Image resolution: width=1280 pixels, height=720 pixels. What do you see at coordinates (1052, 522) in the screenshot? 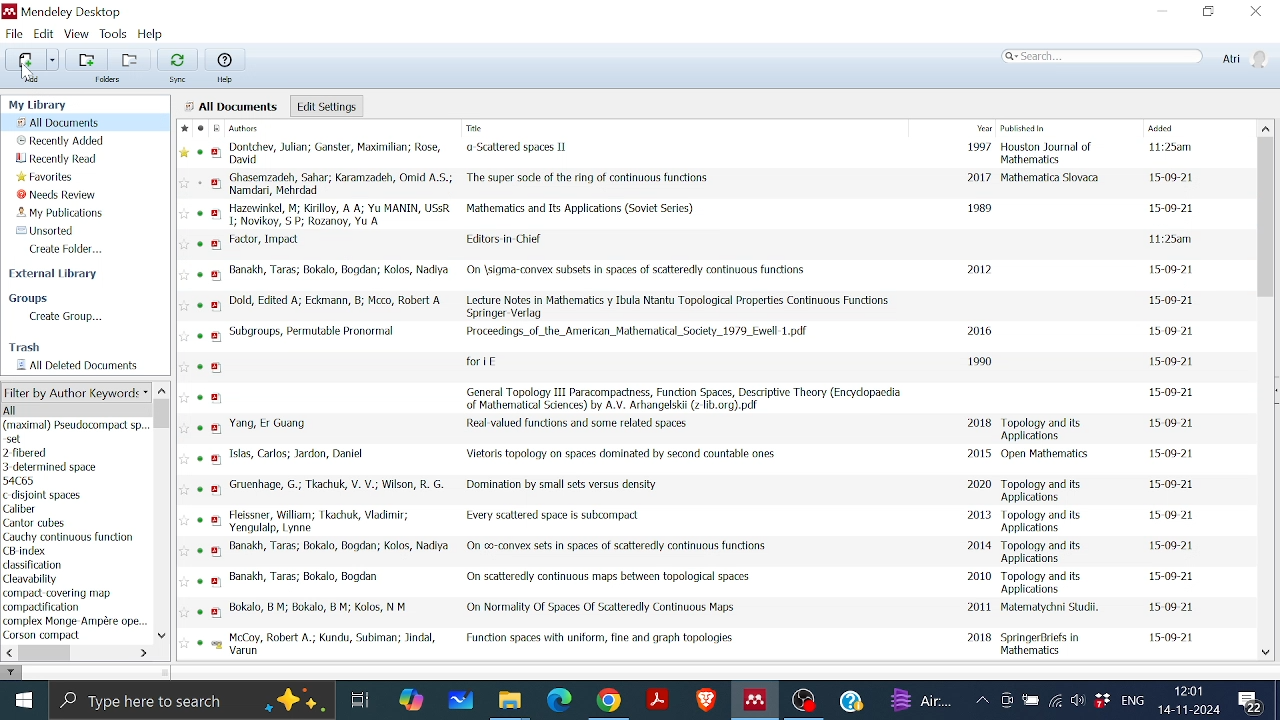
I see `Published in` at bounding box center [1052, 522].